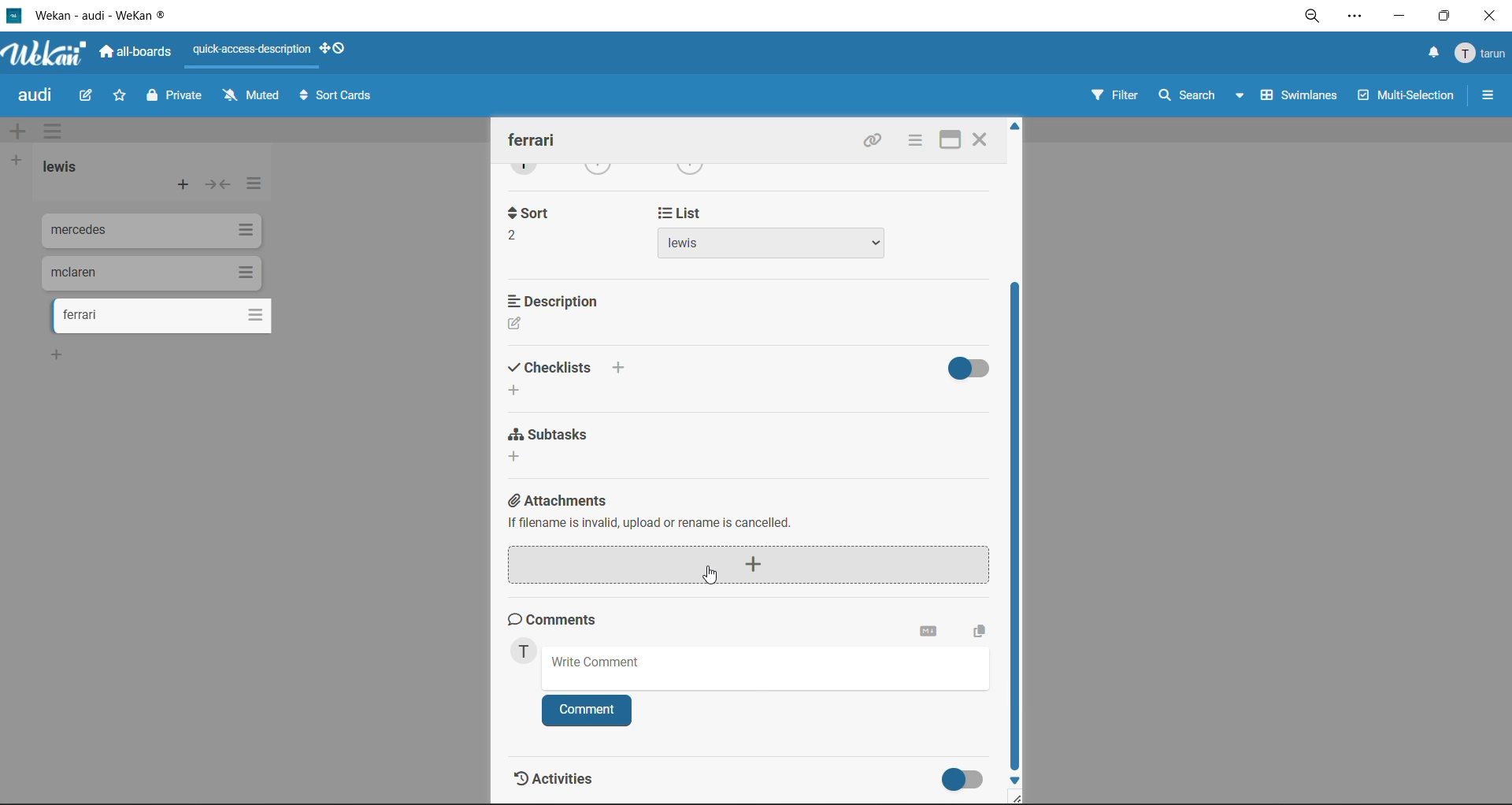 The height and width of the screenshot is (805, 1512). I want to click on sort, so click(528, 223).